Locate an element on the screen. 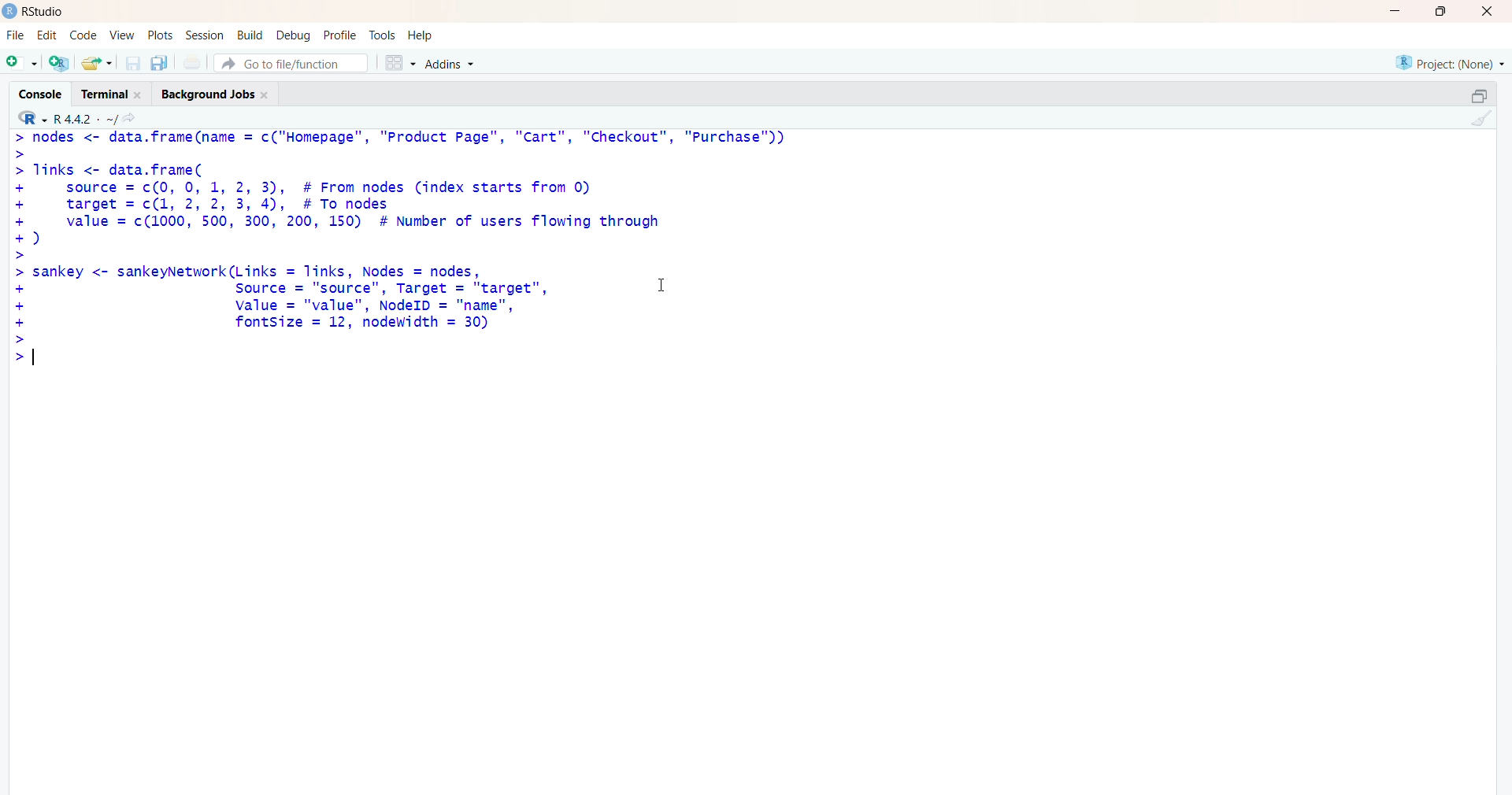  edit is located at coordinates (46, 35).